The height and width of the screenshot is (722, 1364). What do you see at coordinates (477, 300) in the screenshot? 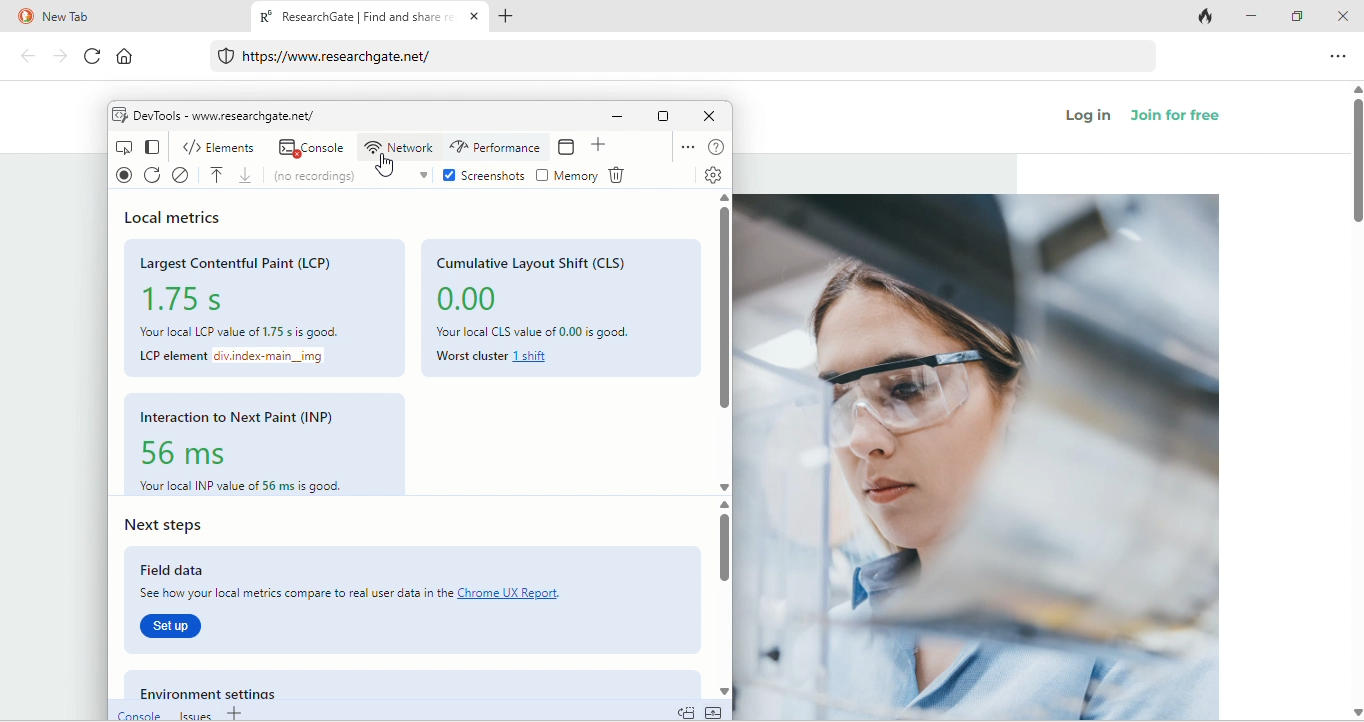
I see `0.00` at bounding box center [477, 300].